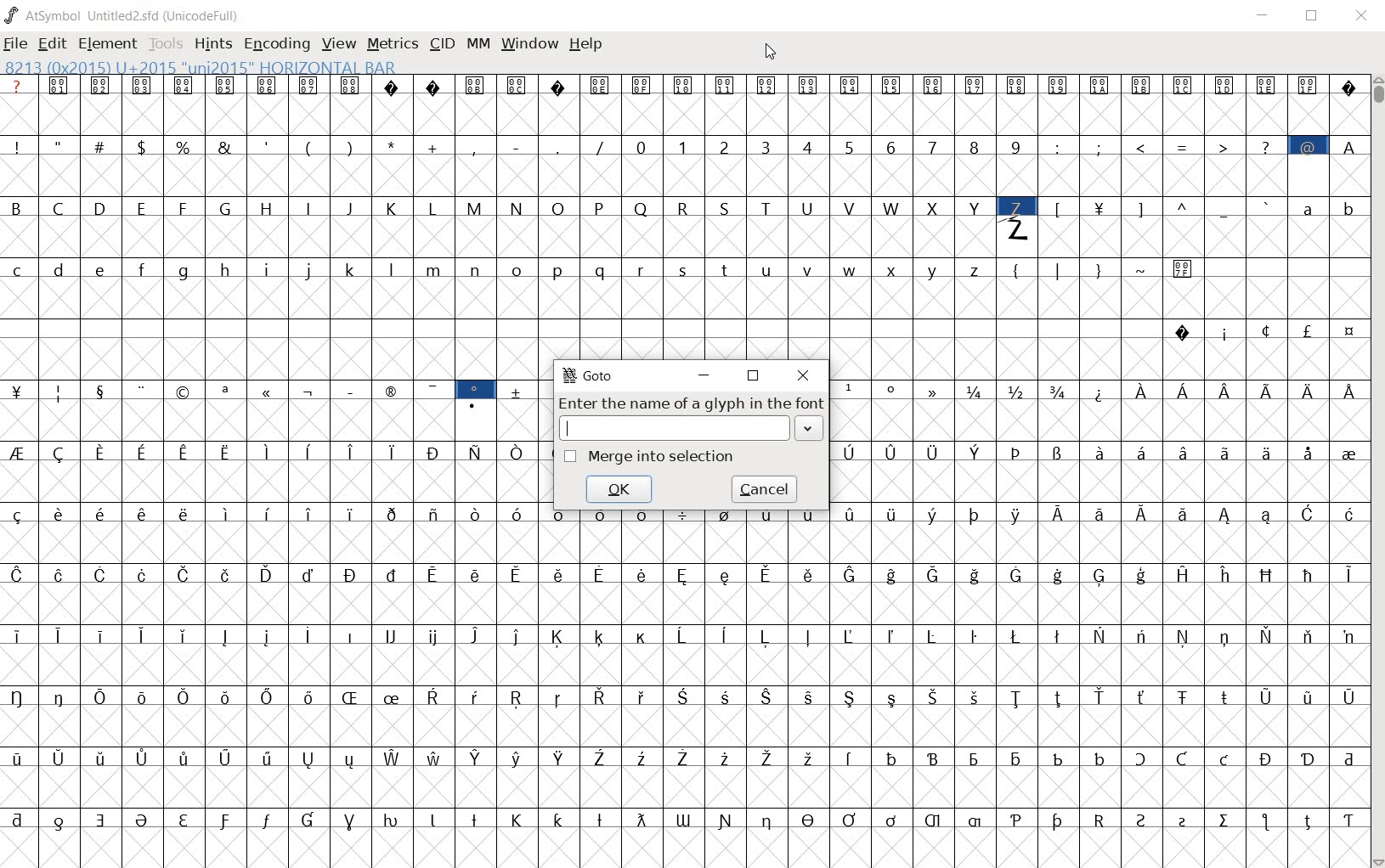  Describe the element at coordinates (1099, 468) in the screenshot. I see `glyph characters` at that location.